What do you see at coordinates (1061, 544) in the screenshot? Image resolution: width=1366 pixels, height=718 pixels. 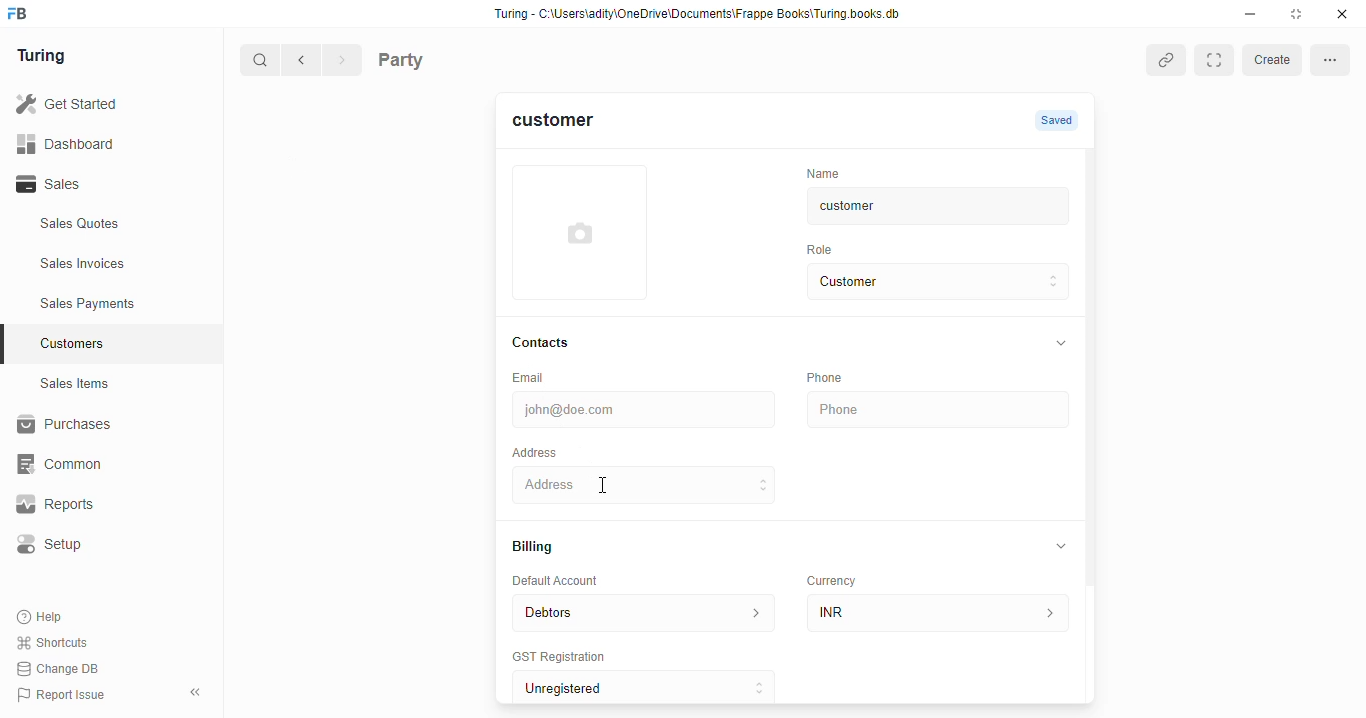 I see `collapse` at bounding box center [1061, 544].